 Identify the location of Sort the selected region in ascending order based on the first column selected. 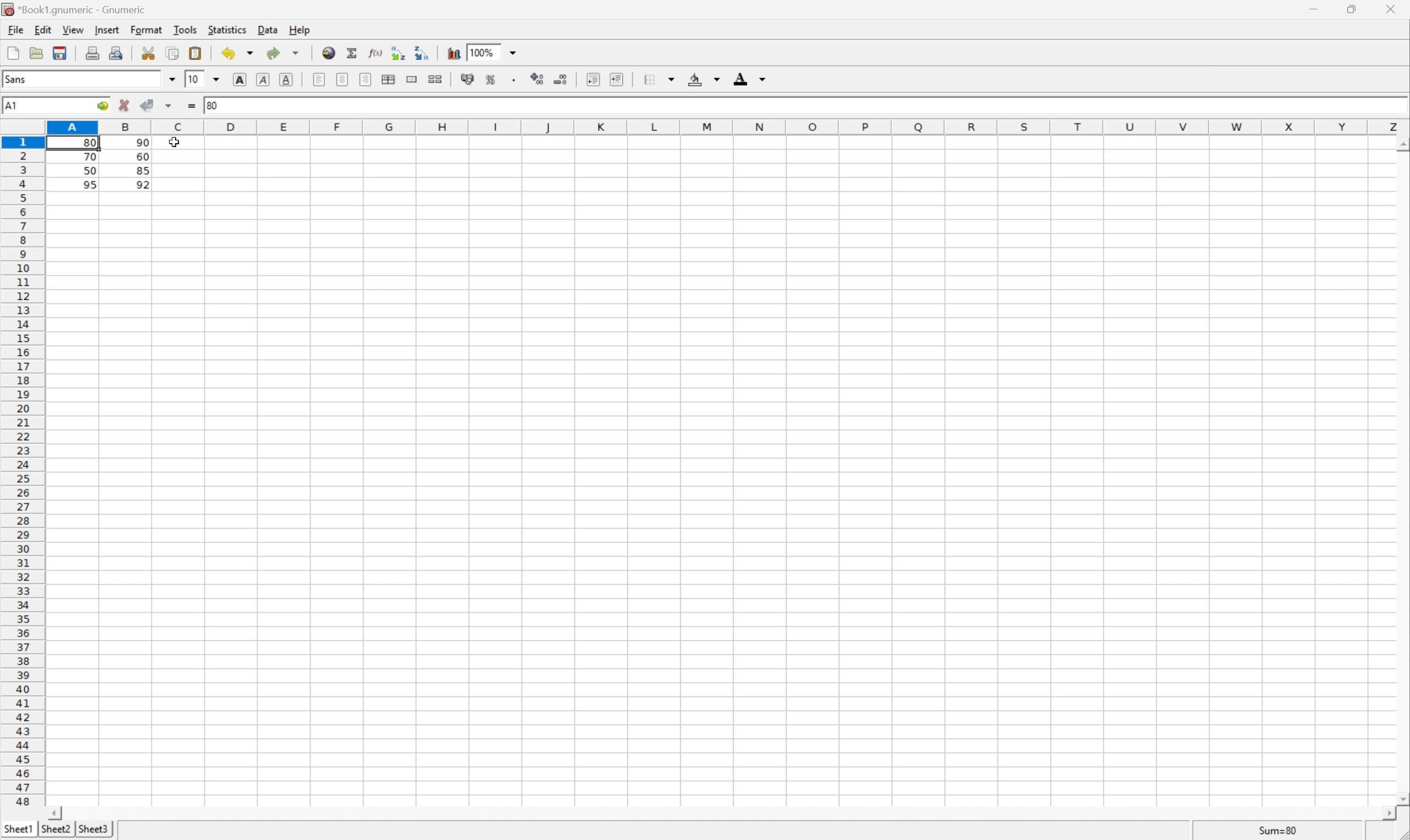
(397, 53).